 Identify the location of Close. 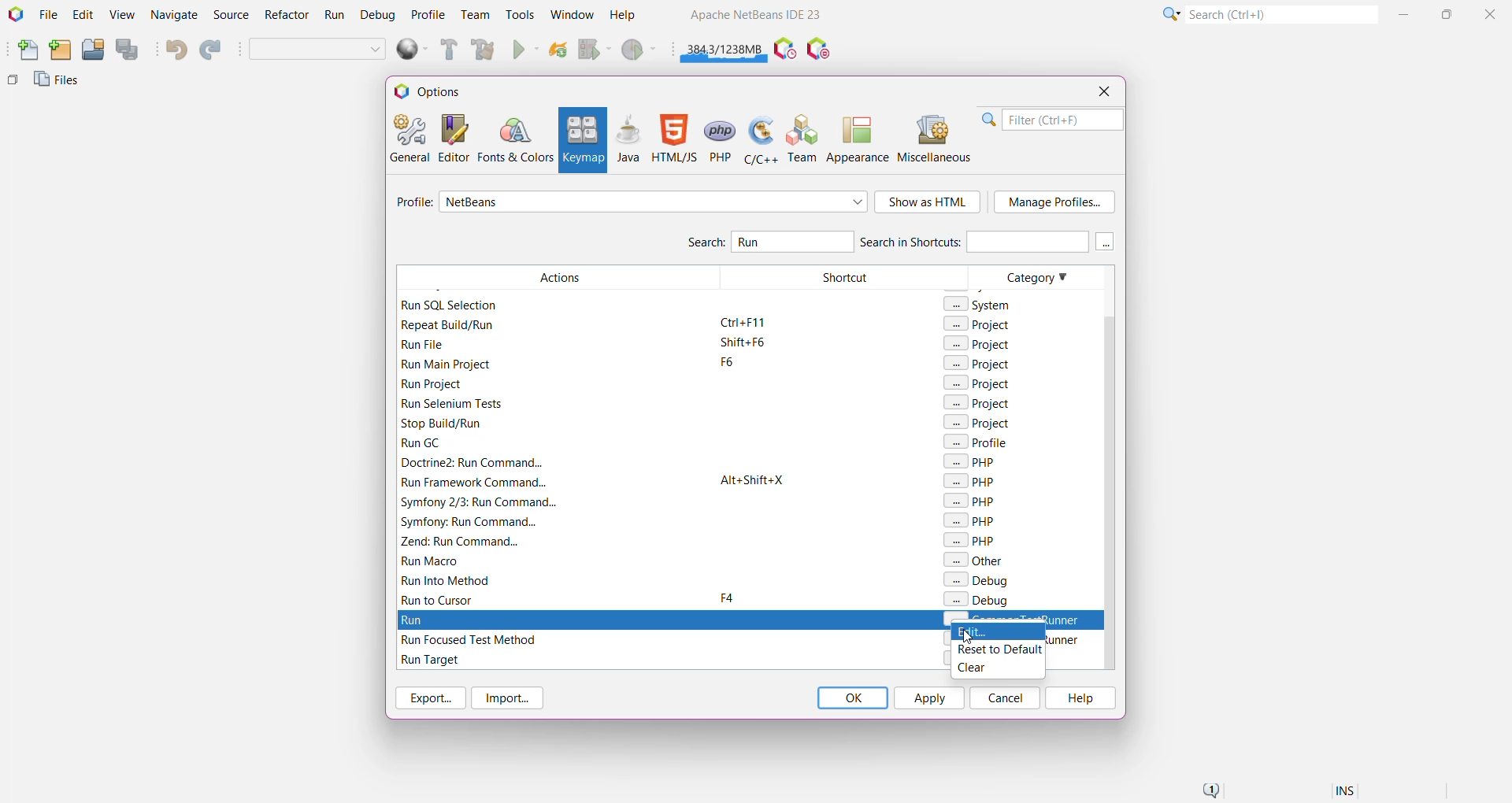
(1492, 13).